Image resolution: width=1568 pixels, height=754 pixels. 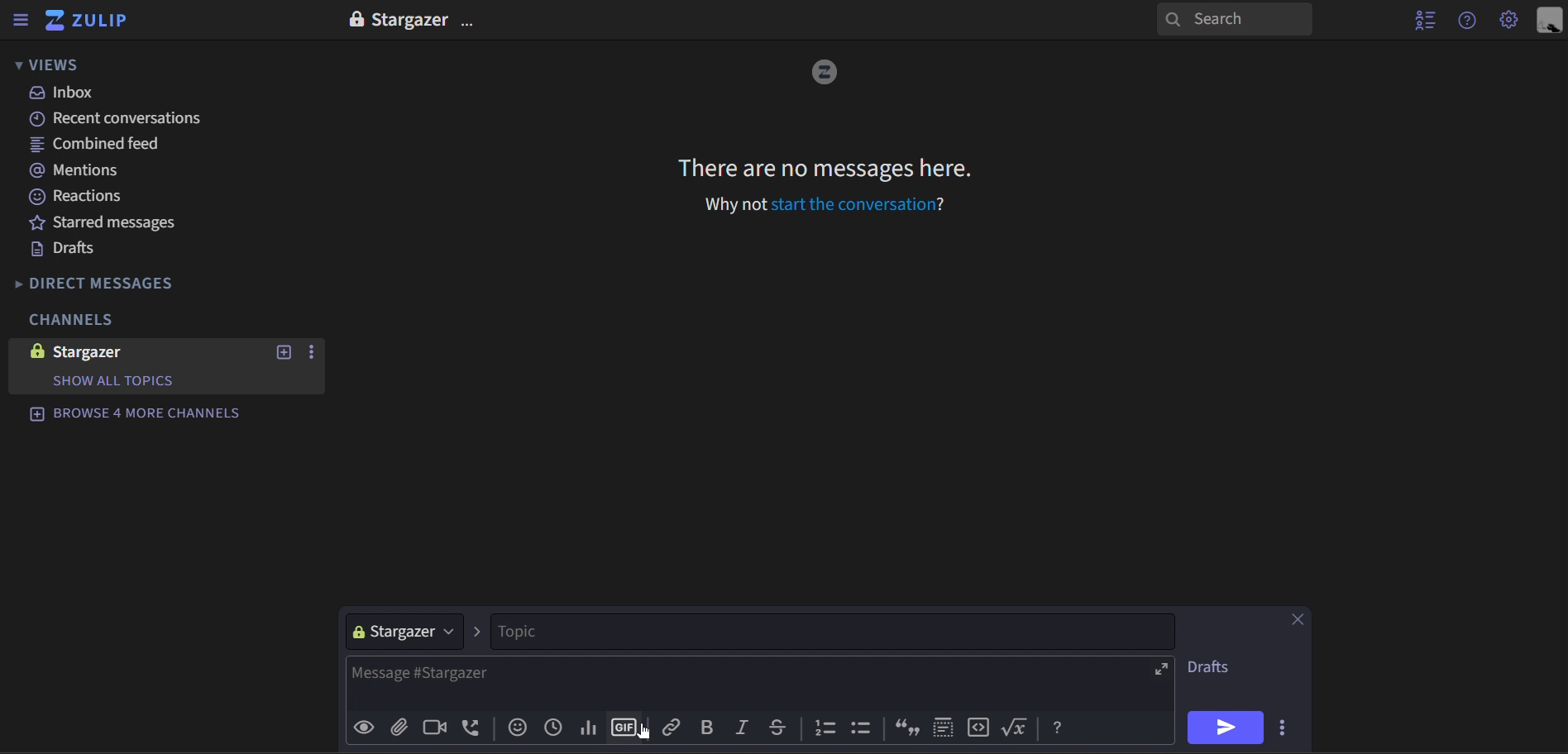 What do you see at coordinates (521, 728) in the screenshot?
I see `add emoji` at bounding box center [521, 728].